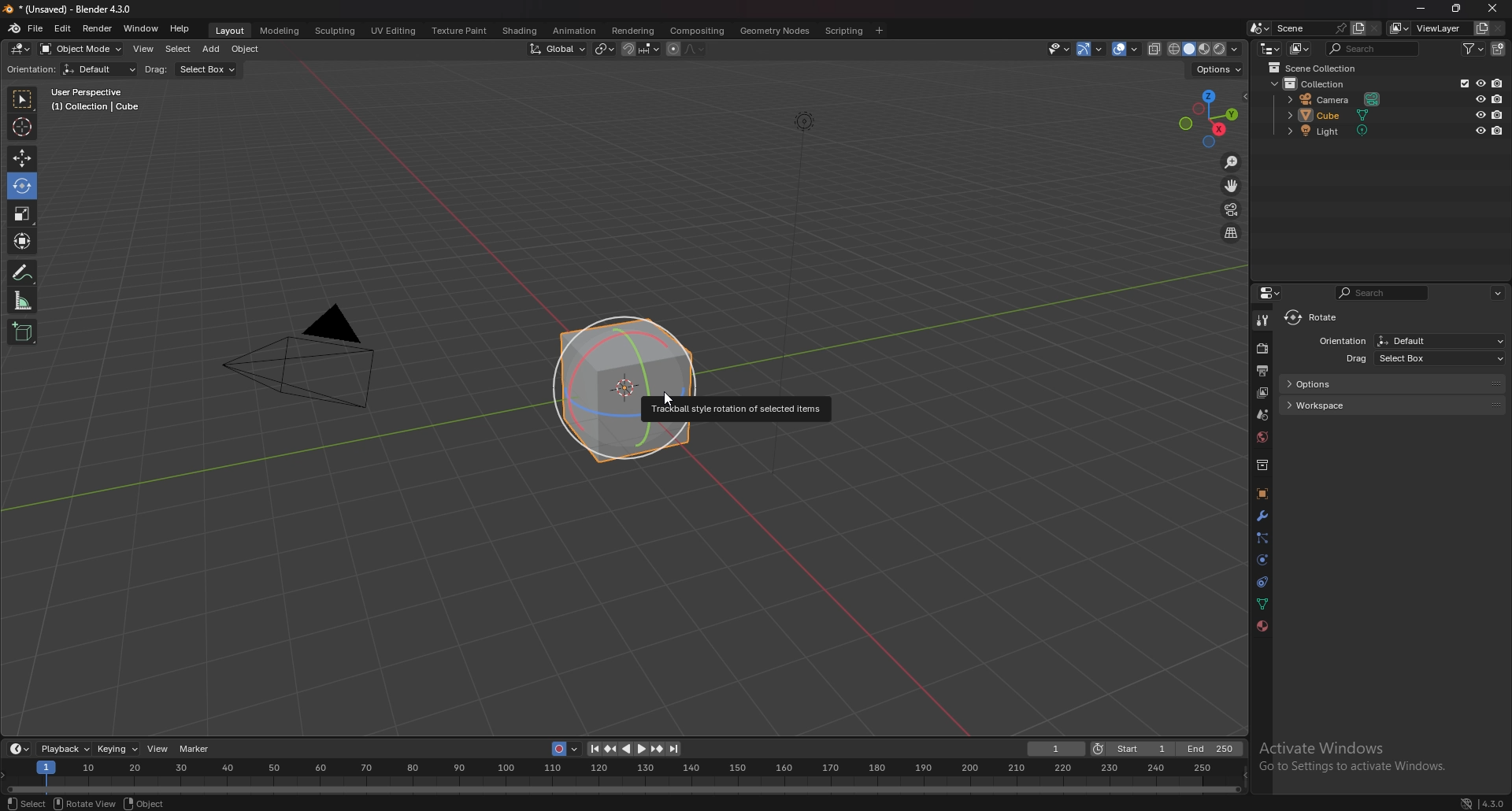  What do you see at coordinates (1263, 348) in the screenshot?
I see `render` at bounding box center [1263, 348].